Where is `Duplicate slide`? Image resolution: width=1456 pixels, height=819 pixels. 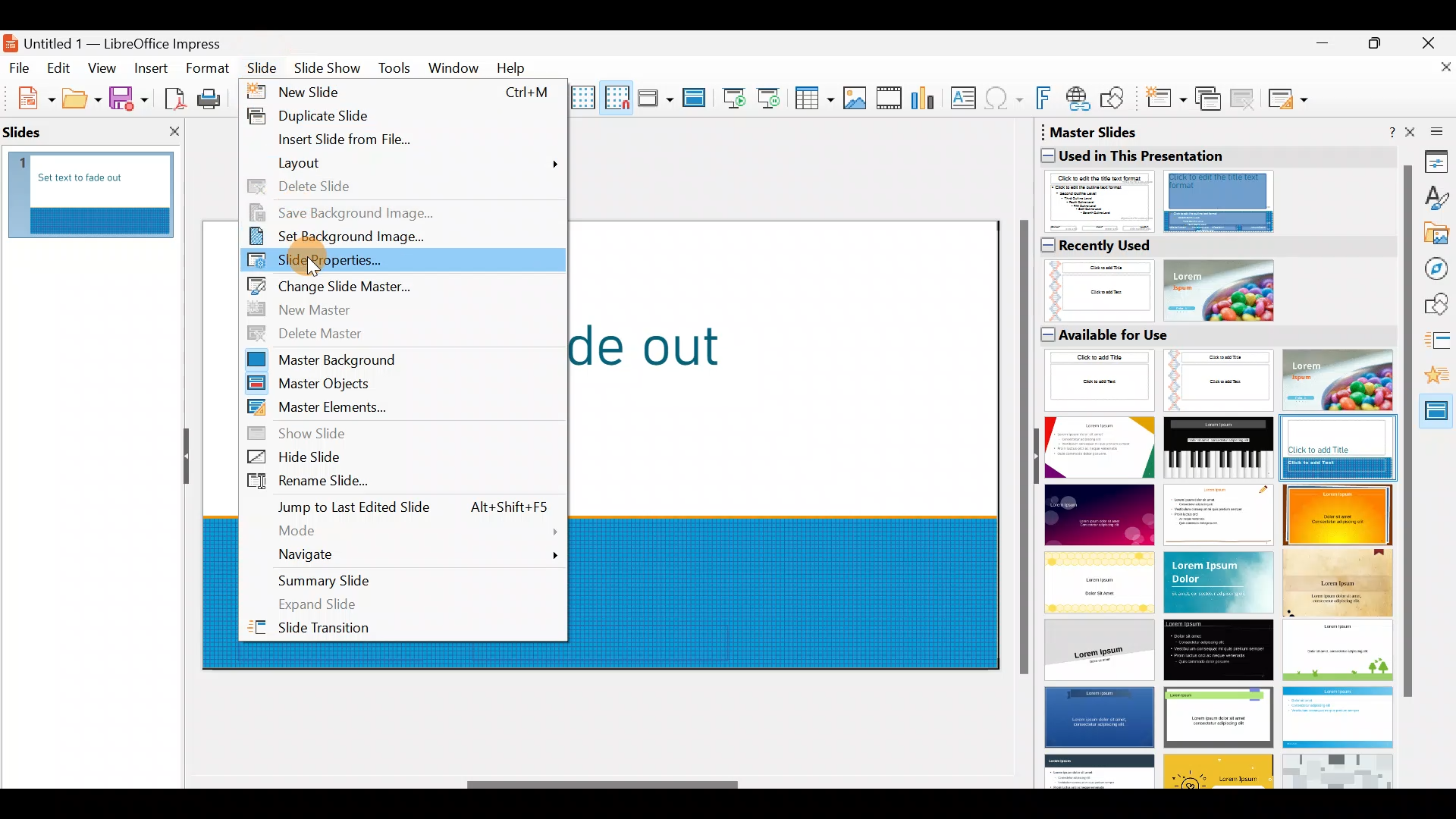
Duplicate slide is located at coordinates (1210, 99).